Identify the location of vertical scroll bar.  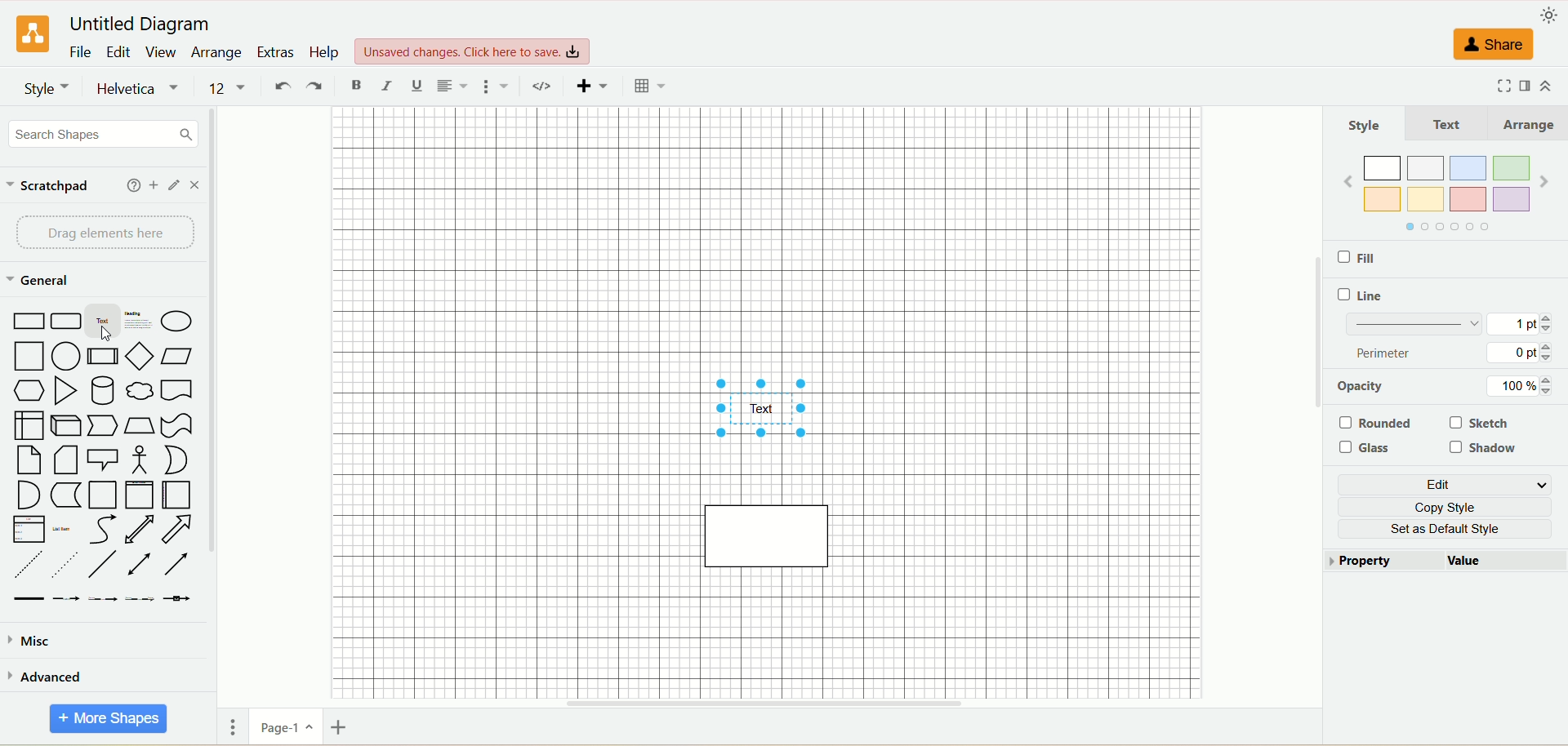
(1304, 399).